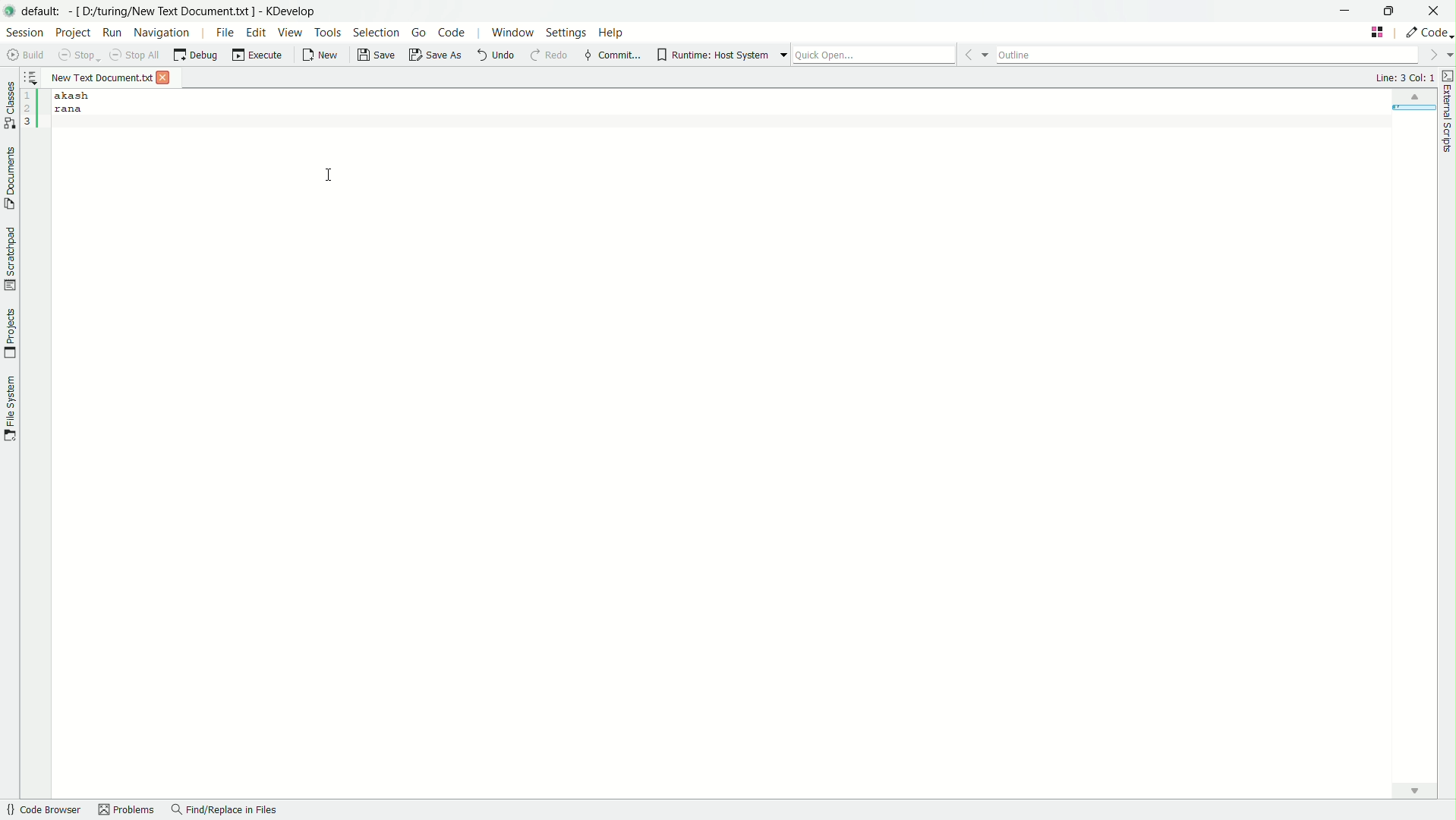  What do you see at coordinates (496, 56) in the screenshot?
I see `undo` at bounding box center [496, 56].